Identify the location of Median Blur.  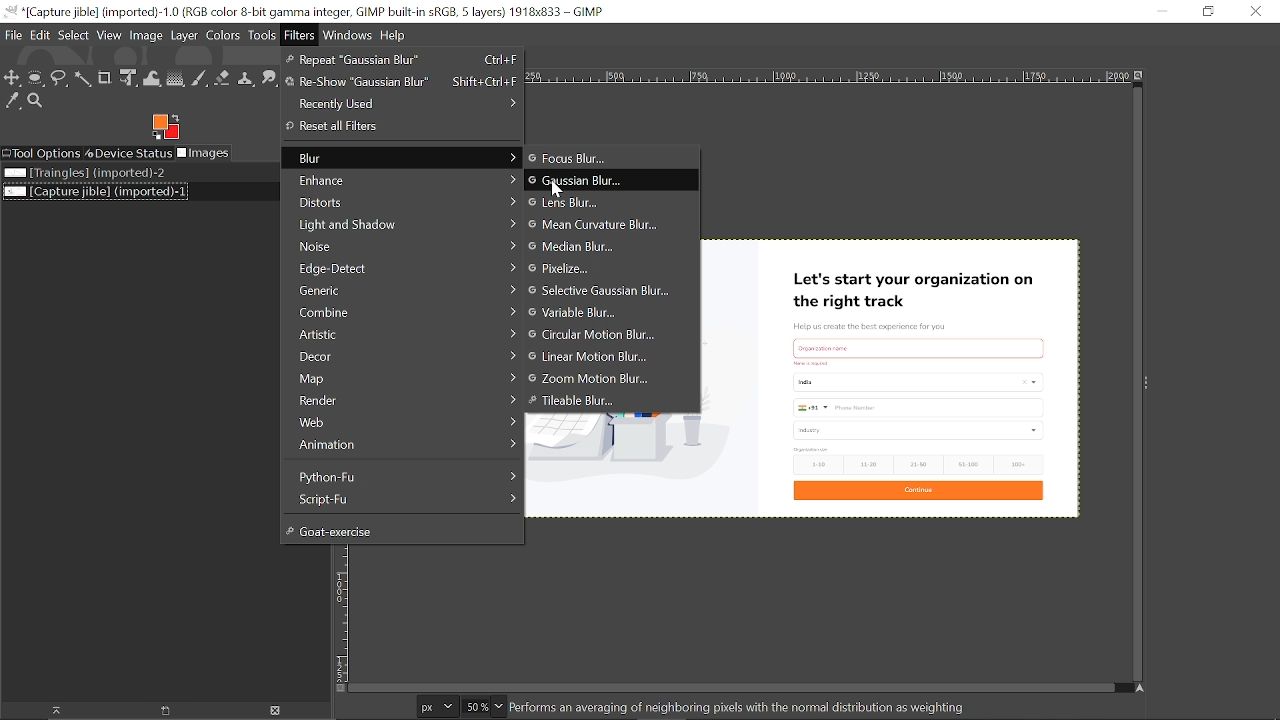
(583, 247).